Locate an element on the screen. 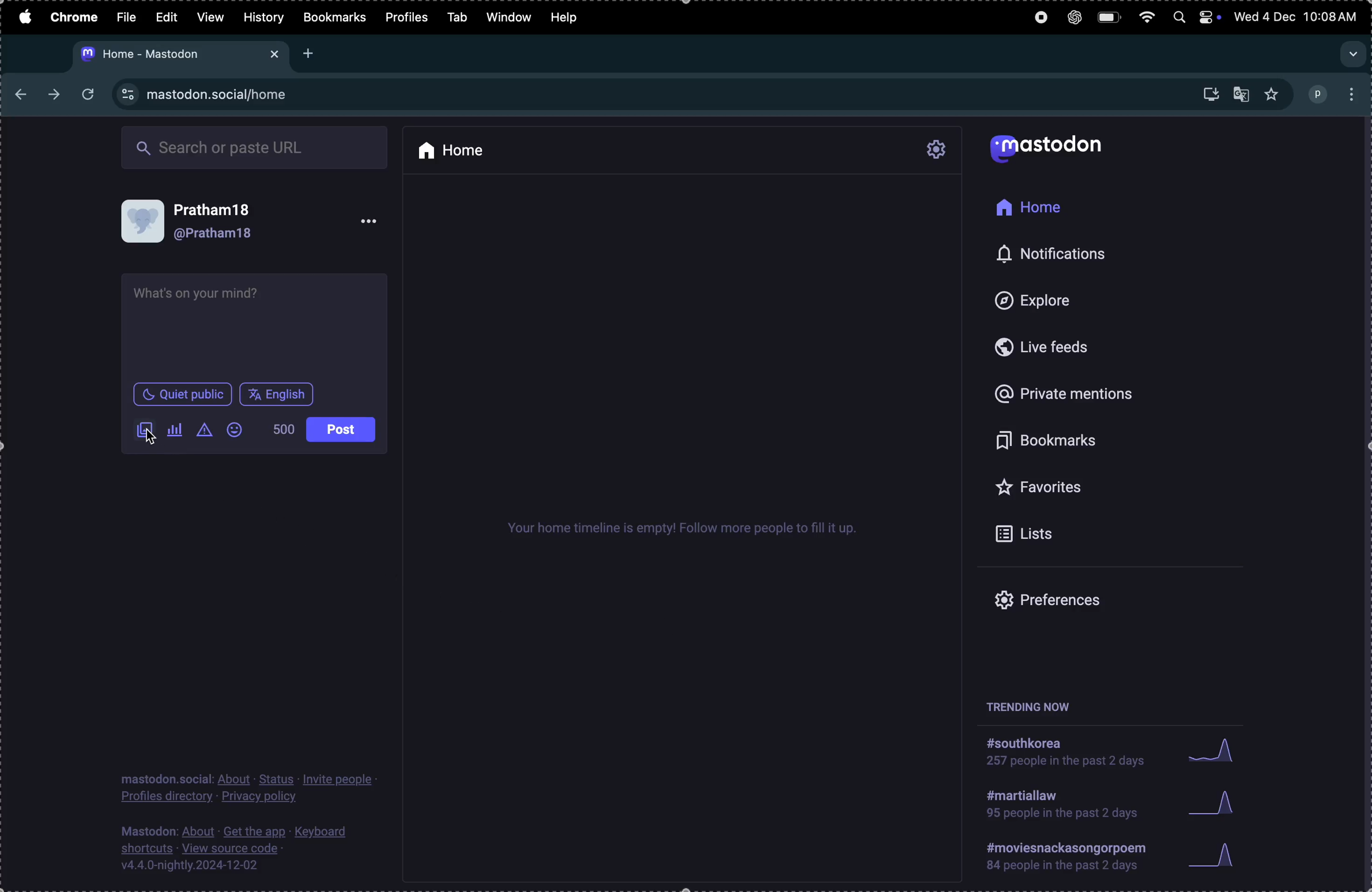  # southkorea is located at coordinates (1064, 756).